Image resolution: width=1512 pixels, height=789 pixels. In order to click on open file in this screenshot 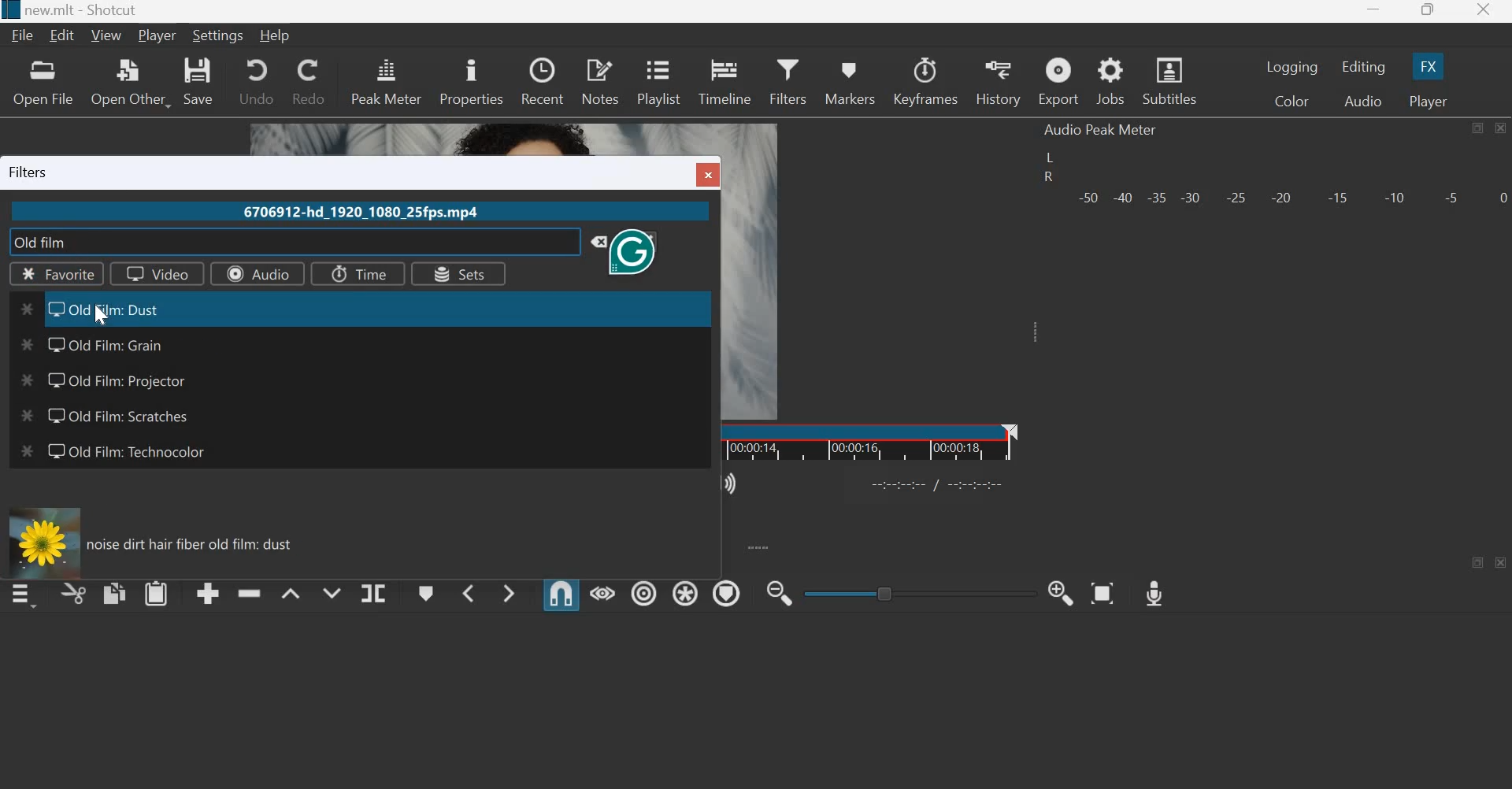, I will do `click(42, 82)`.